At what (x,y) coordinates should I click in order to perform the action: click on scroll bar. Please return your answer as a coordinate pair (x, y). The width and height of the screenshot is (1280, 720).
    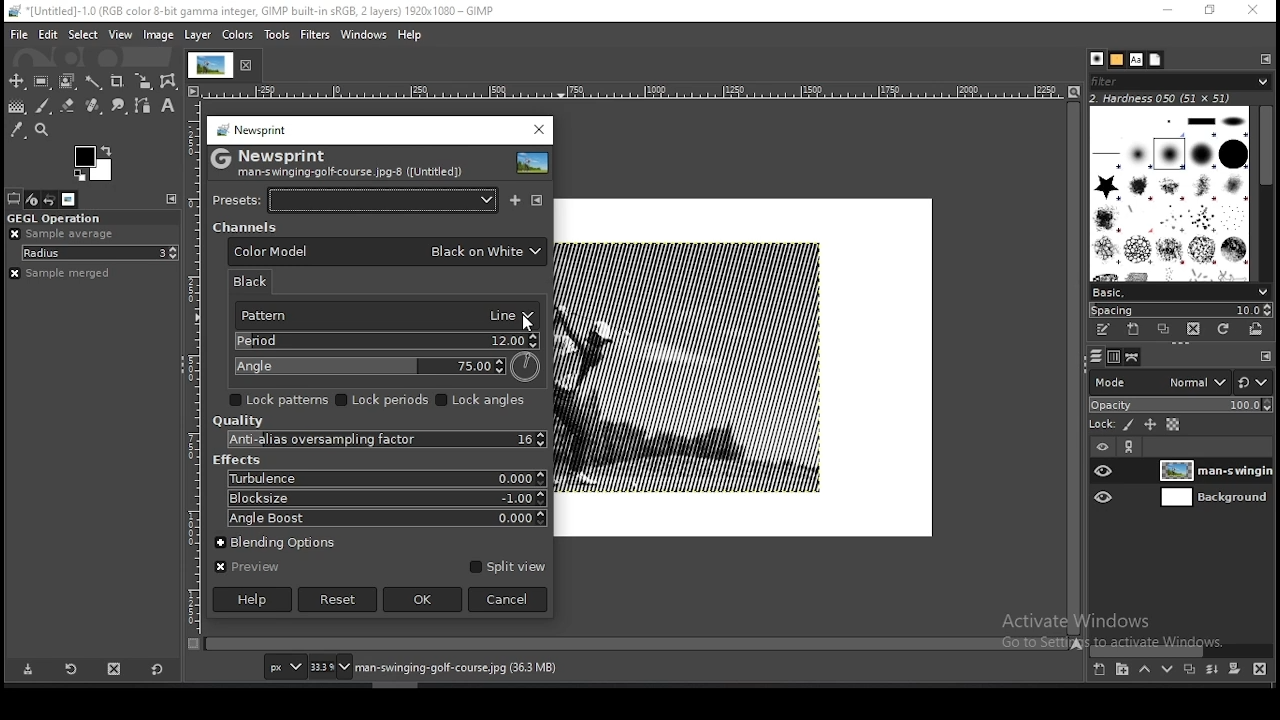
    Looking at the image, I should click on (1261, 193).